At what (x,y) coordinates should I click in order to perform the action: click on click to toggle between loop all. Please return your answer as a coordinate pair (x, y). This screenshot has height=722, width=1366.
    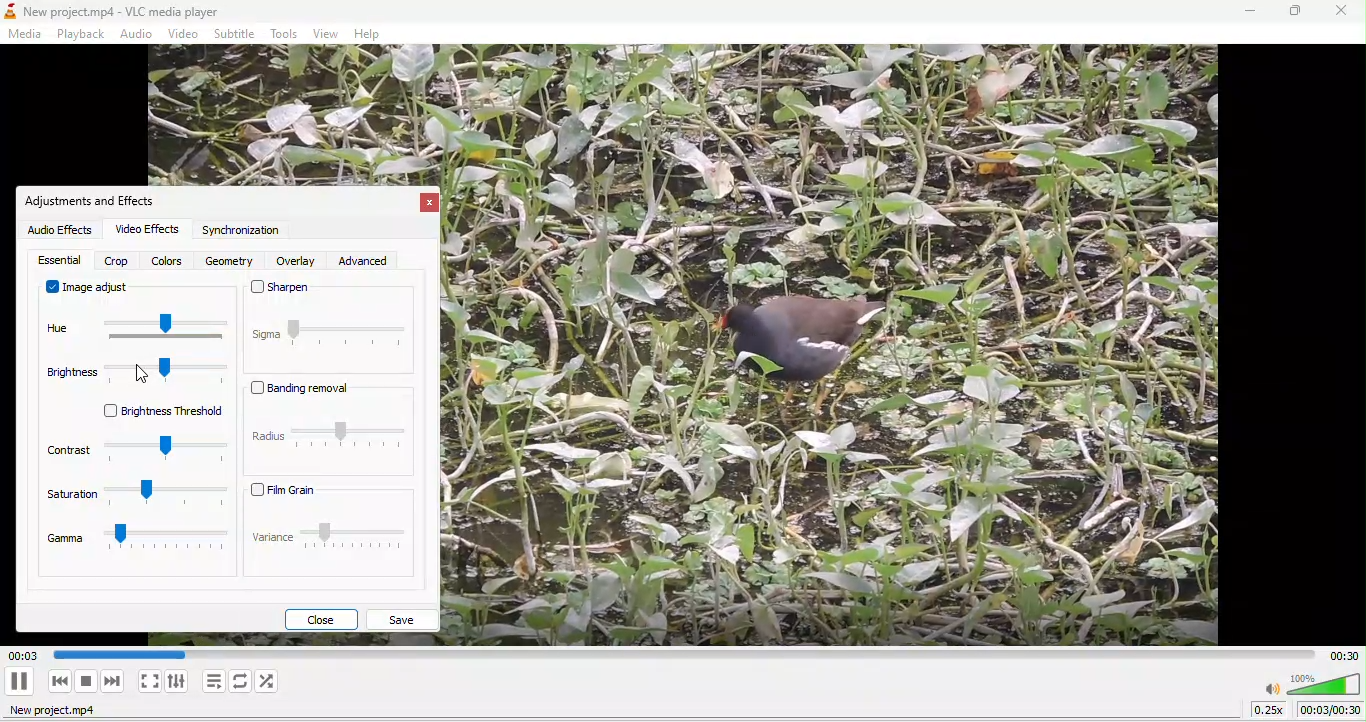
    Looking at the image, I should click on (240, 682).